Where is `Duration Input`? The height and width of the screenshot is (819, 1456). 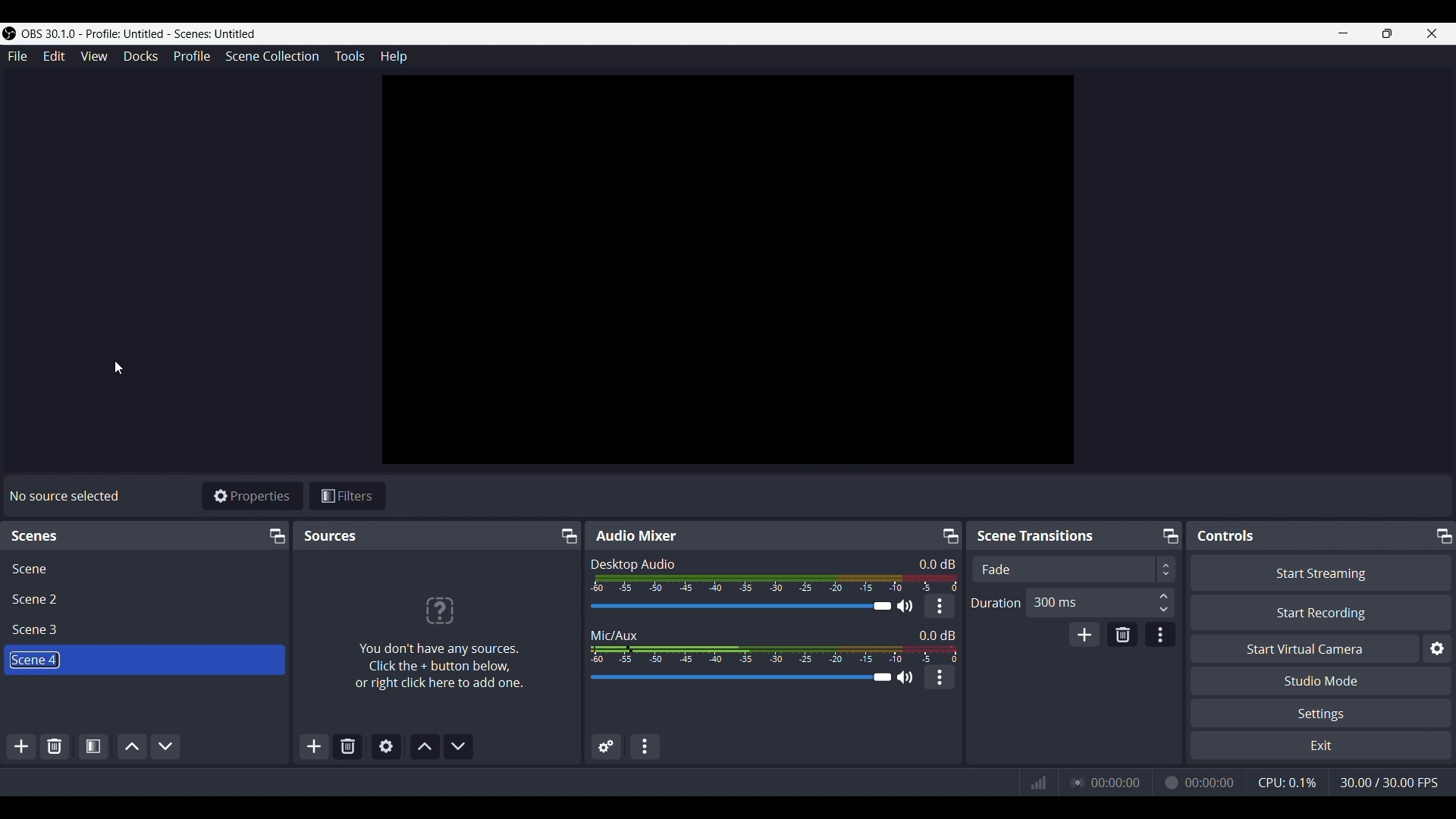 Duration Input is located at coordinates (1163, 602).